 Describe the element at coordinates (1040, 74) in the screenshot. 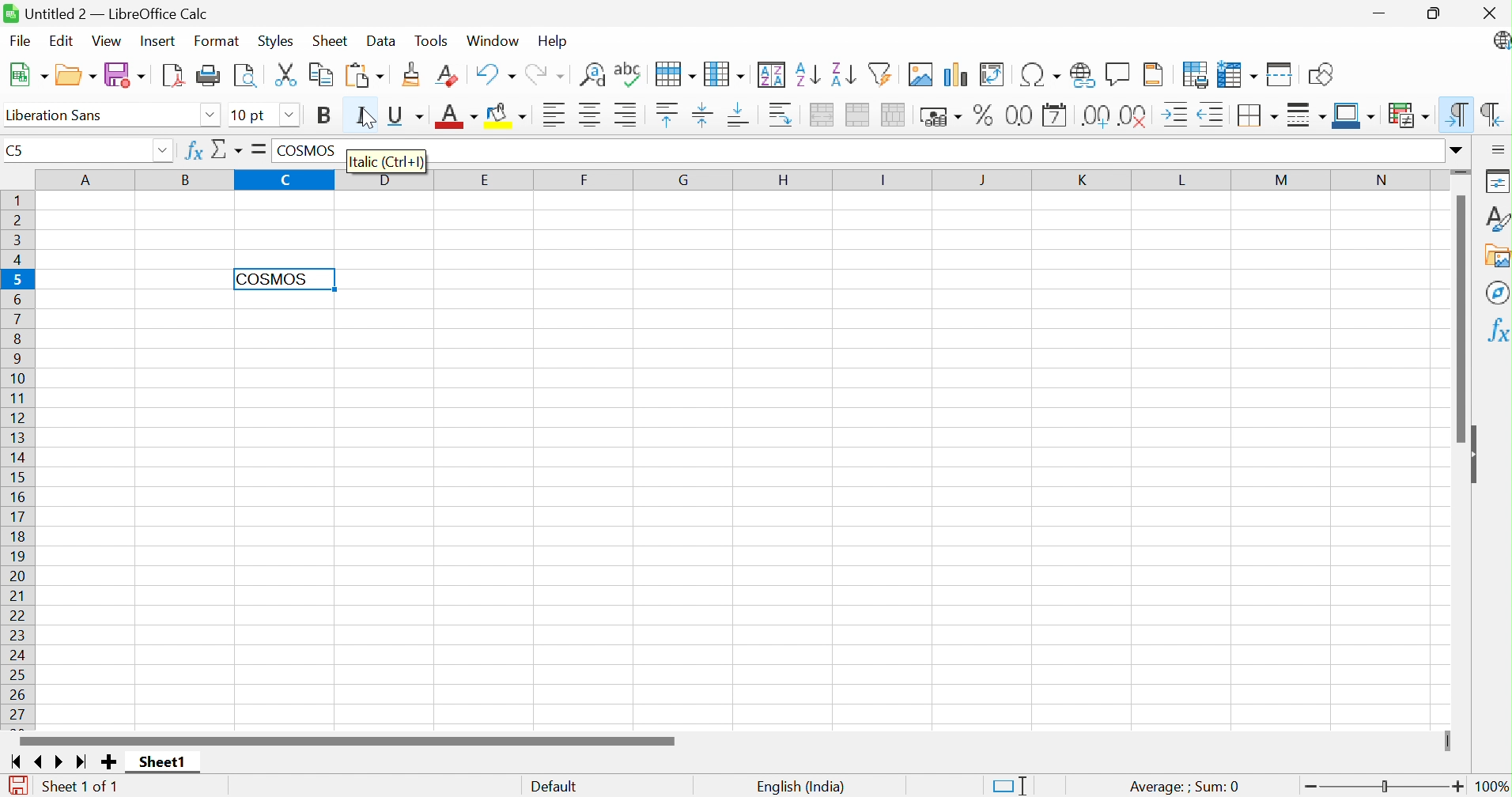

I see `Insert special characters` at that location.